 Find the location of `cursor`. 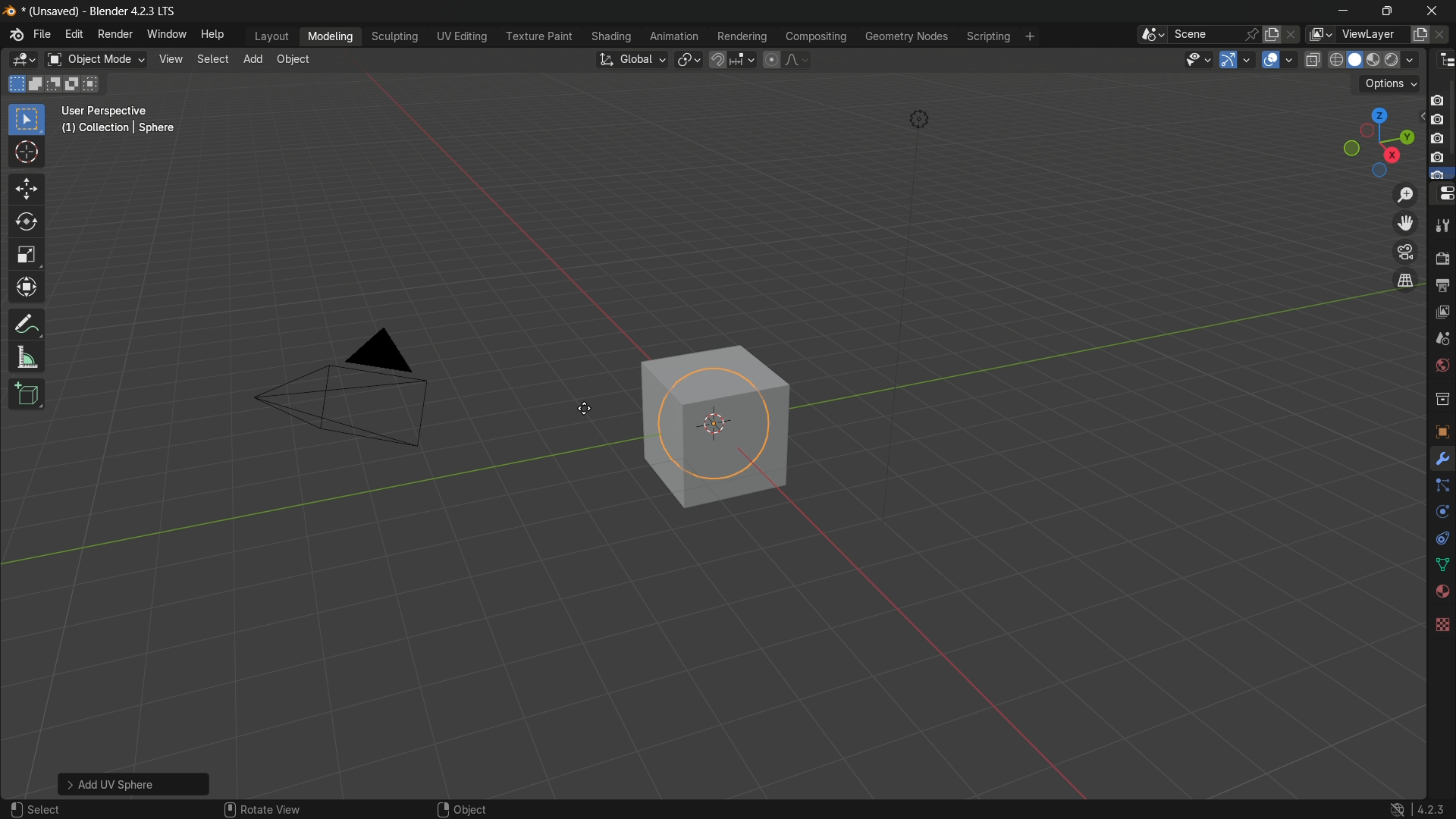

cursor is located at coordinates (27, 155).